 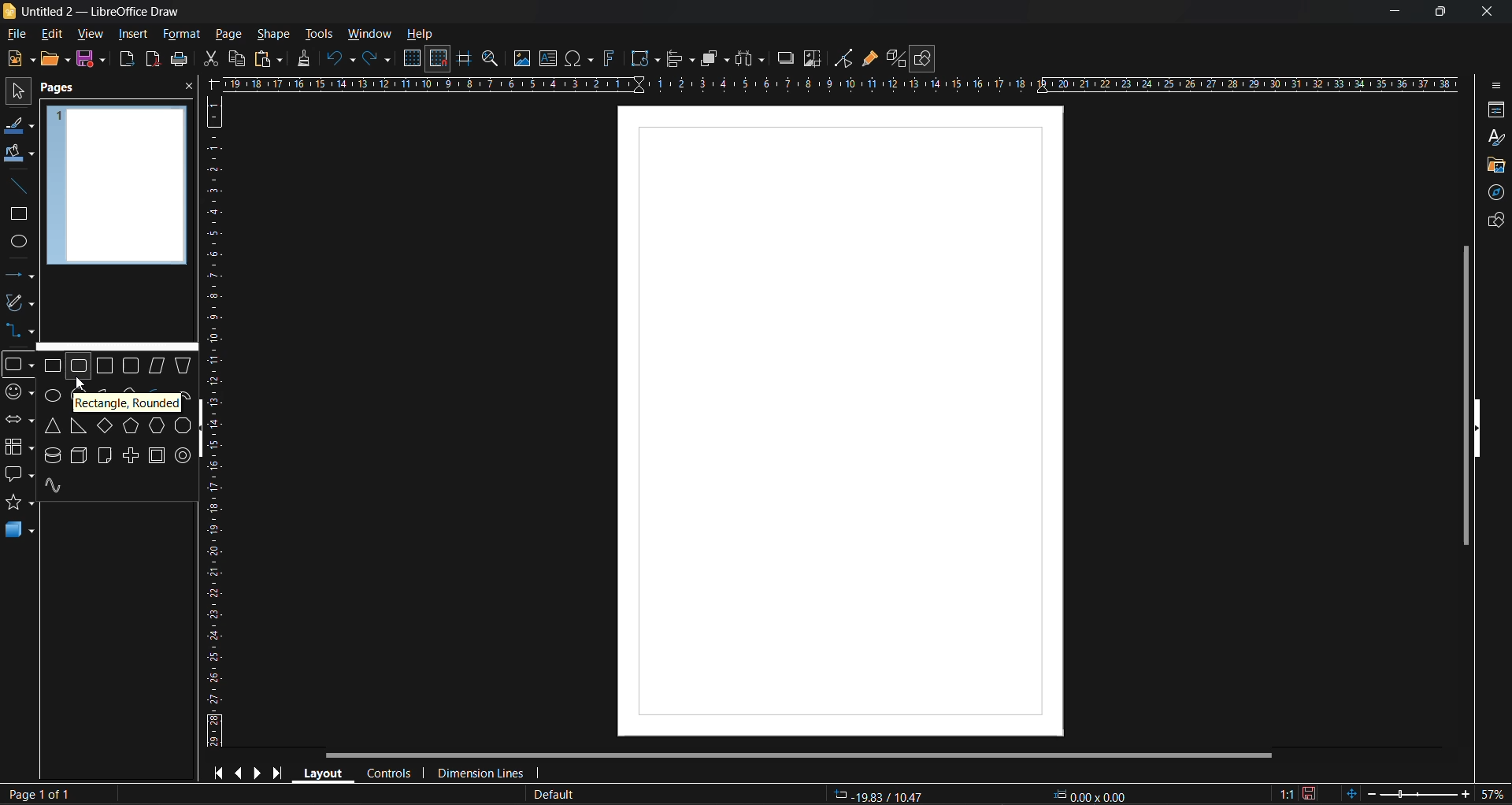 What do you see at coordinates (258, 772) in the screenshot?
I see `next` at bounding box center [258, 772].